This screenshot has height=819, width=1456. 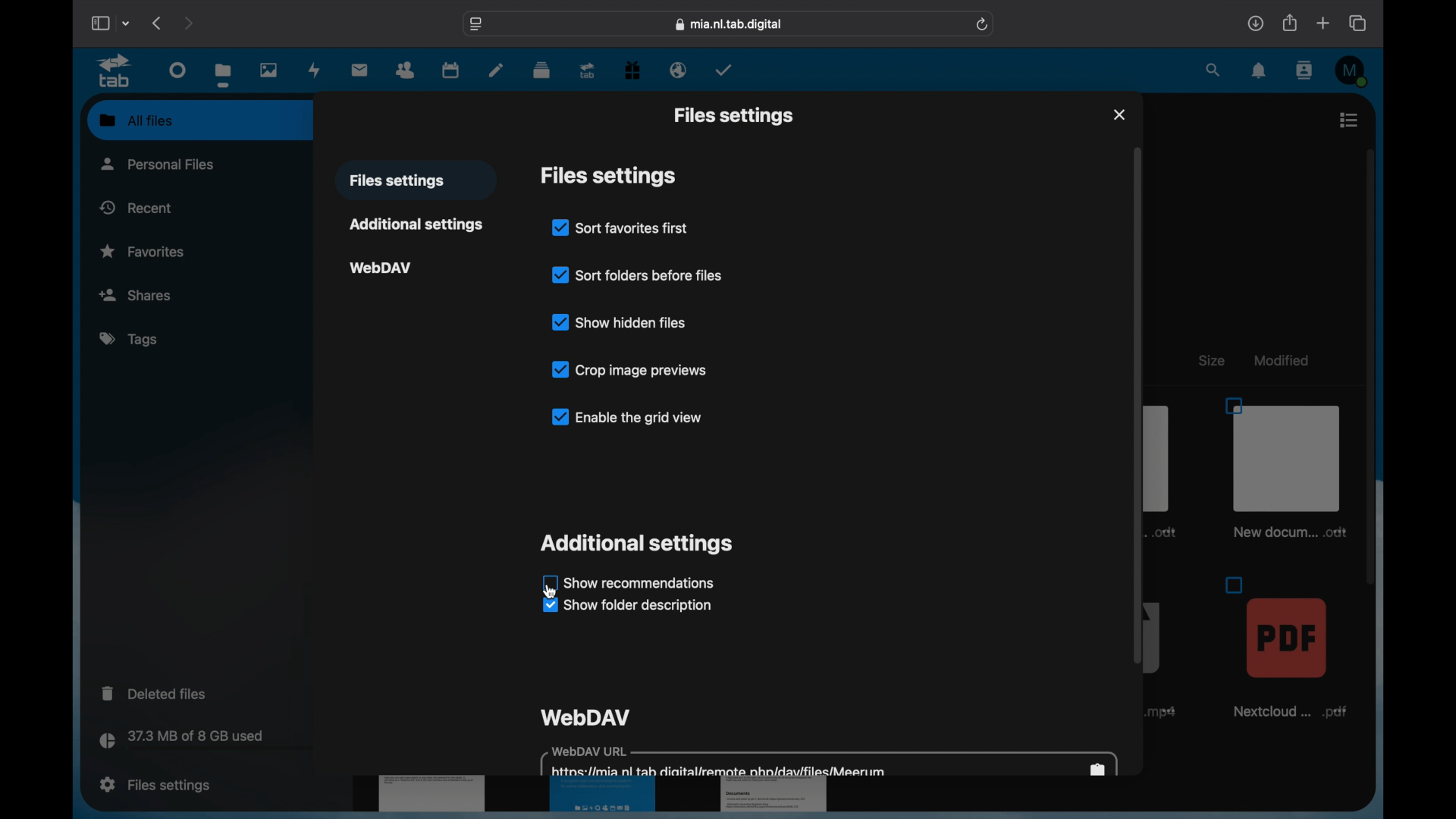 I want to click on files settings, so click(x=155, y=783).